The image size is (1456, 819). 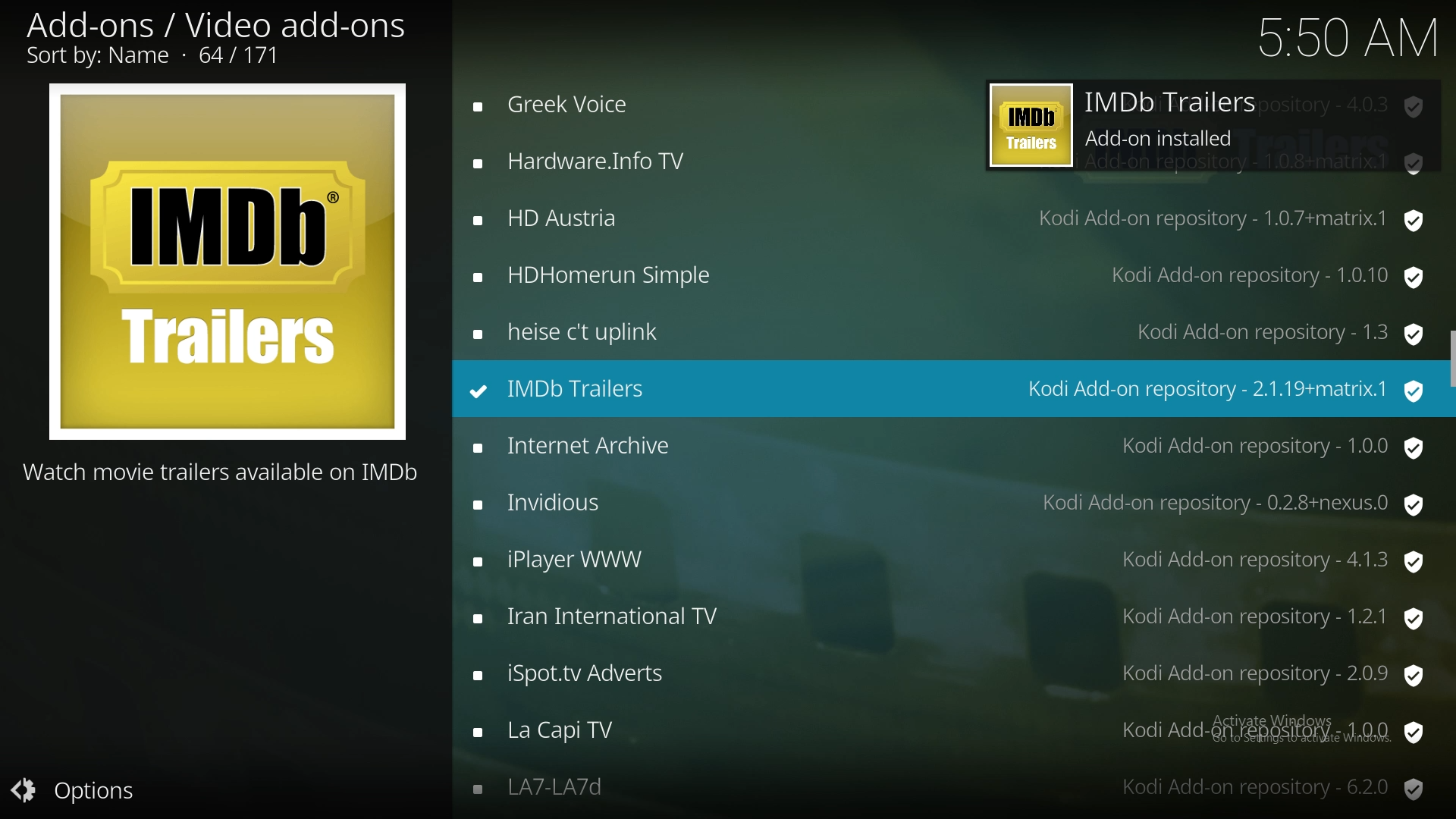 I want to click on video add ons, so click(x=216, y=37).